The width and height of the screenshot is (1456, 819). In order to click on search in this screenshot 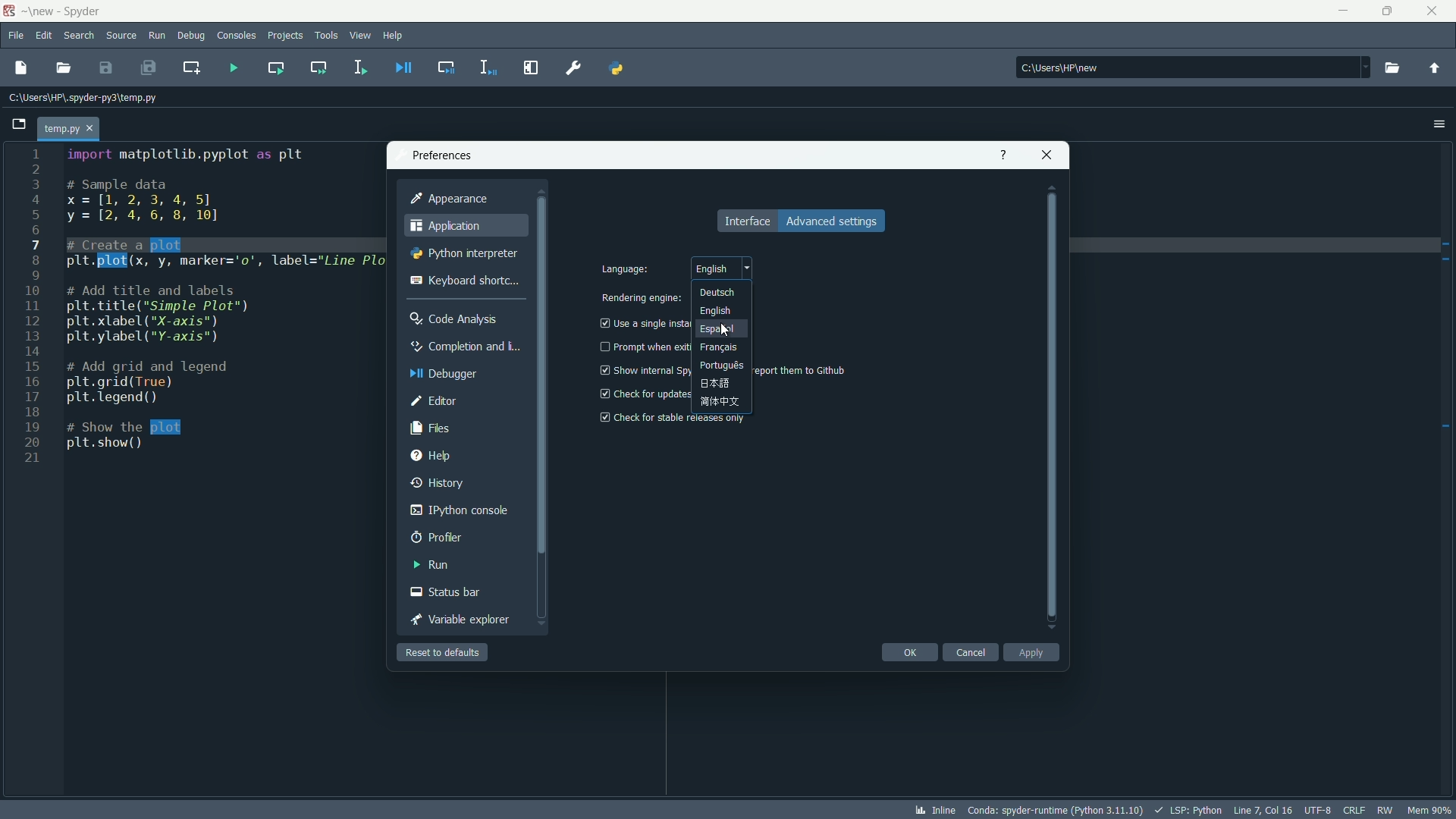, I will do `click(80, 36)`.